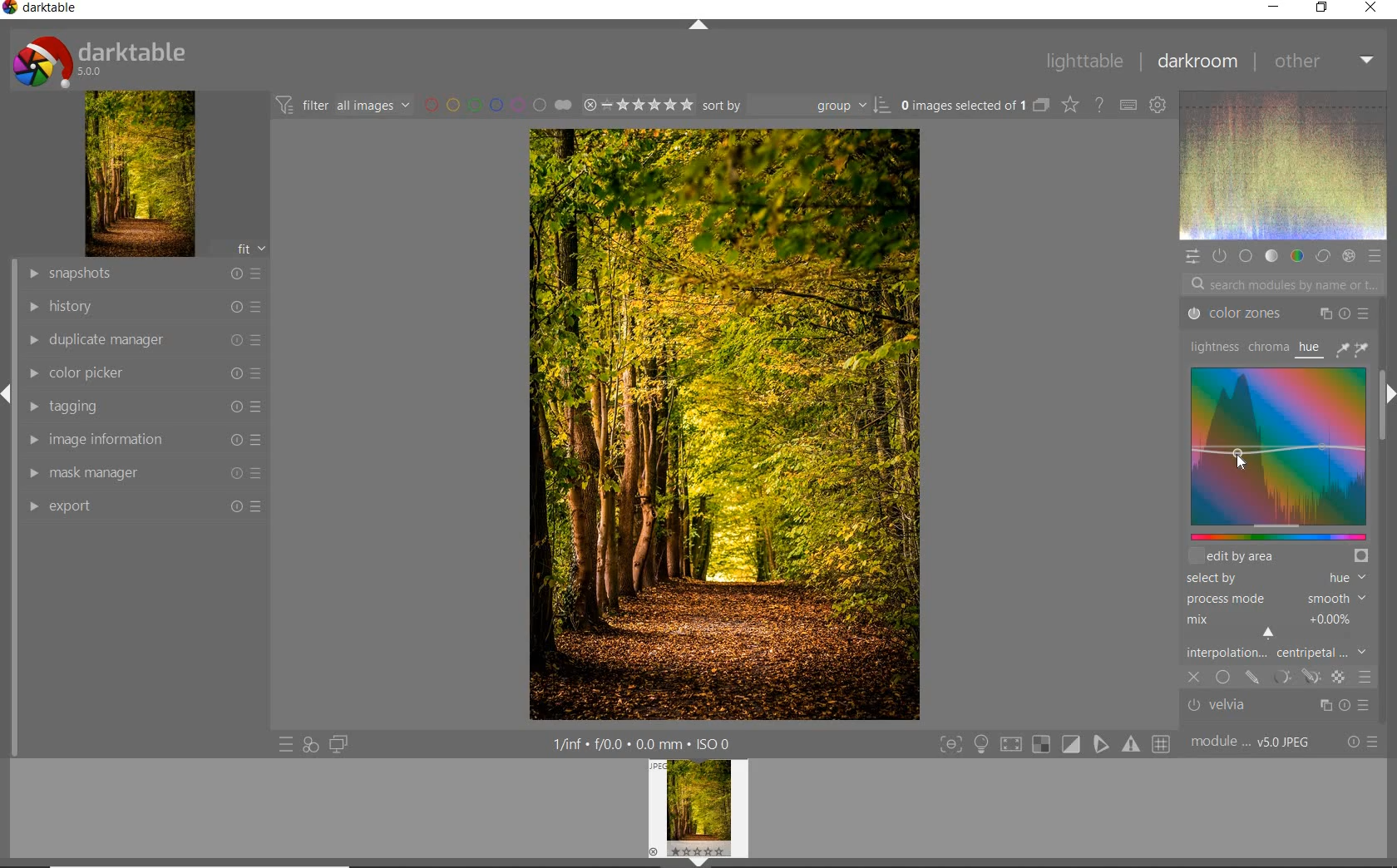 The height and width of the screenshot is (868, 1397). What do you see at coordinates (1261, 557) in the screenshot?
I see `shift+alt+scroll to change height` at bounding box center [1261, 557].